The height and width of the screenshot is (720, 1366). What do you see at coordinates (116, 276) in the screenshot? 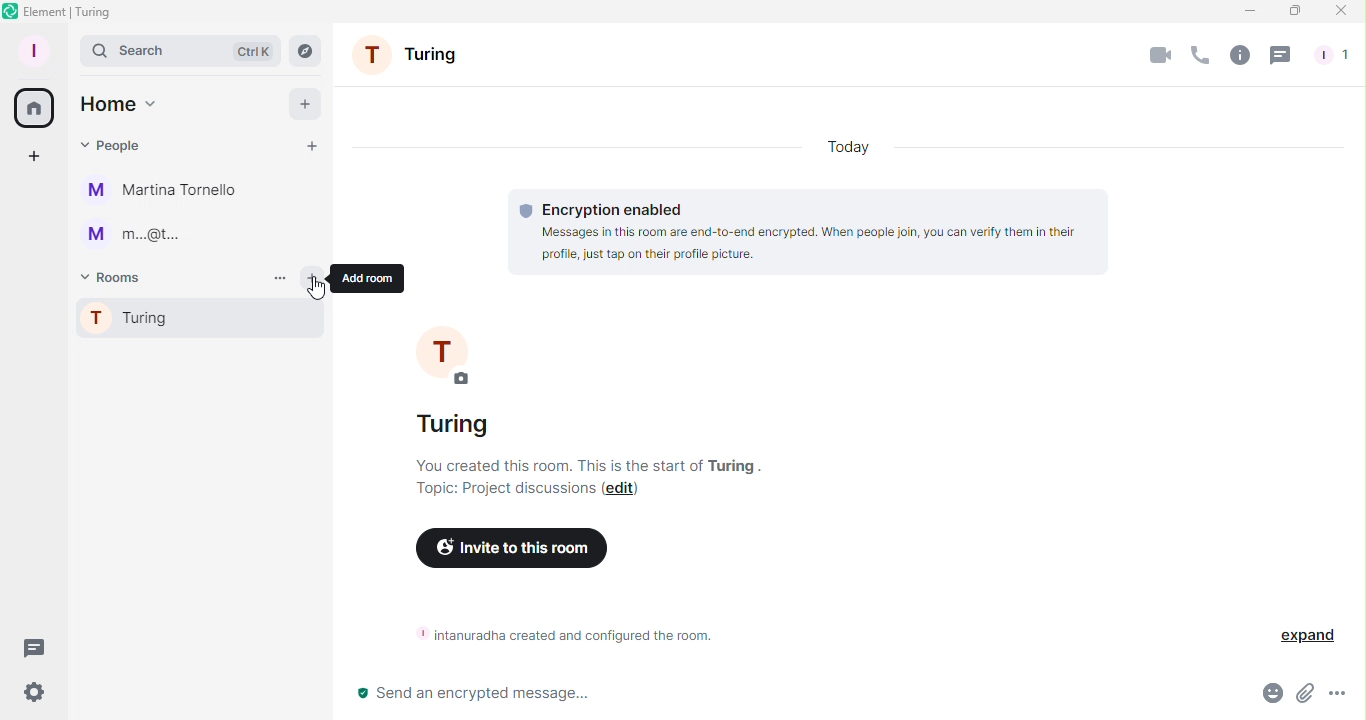
I see `Rooms` at bounding box center [116, 276].